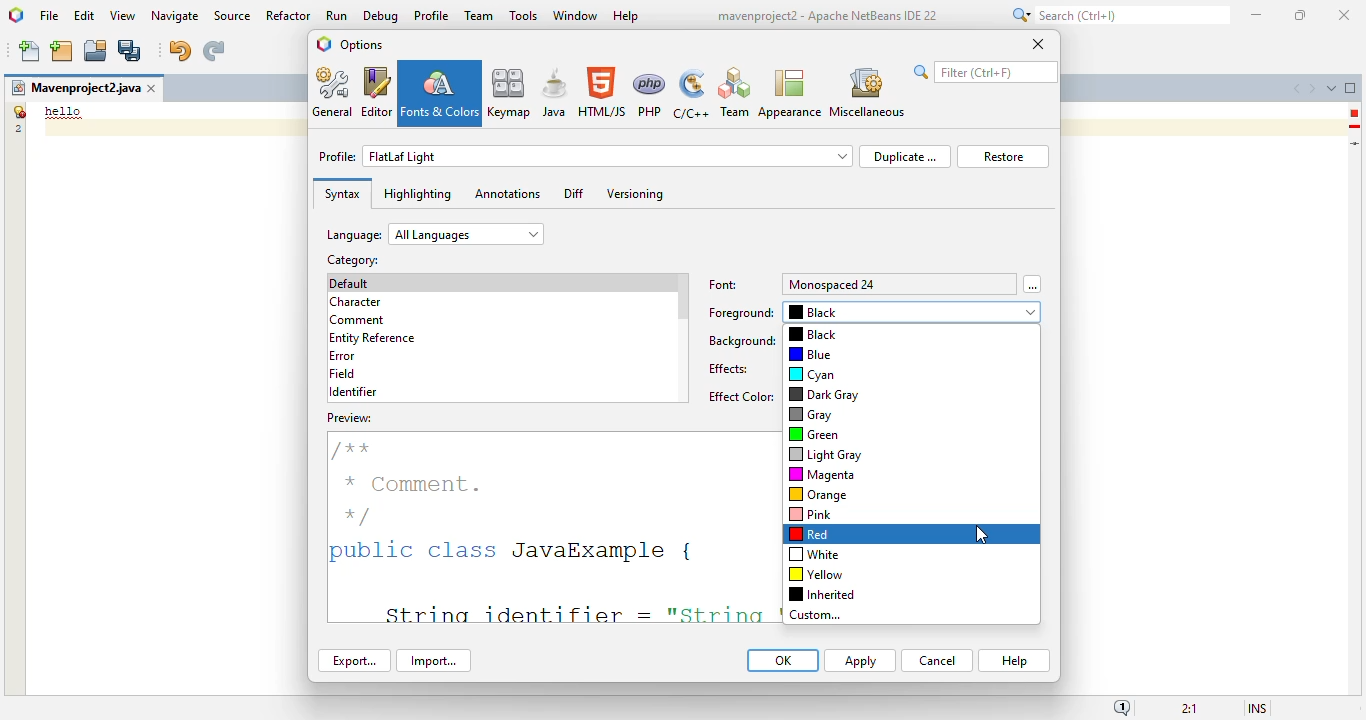 The width and height of the screenshot is (1366, 720). I want to click on team, so click(479, 15).